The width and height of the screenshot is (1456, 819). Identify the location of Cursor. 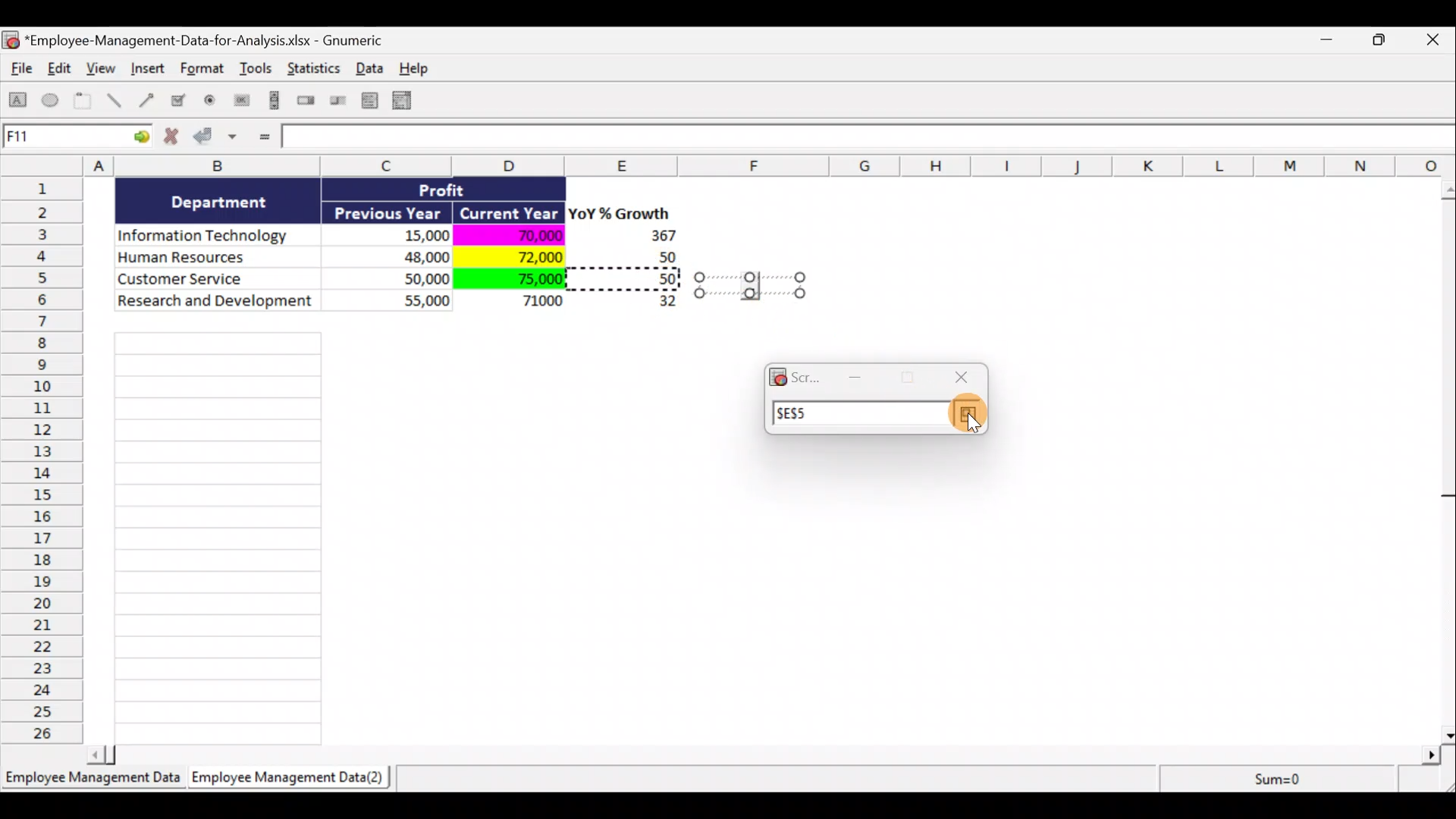
(968, 416).